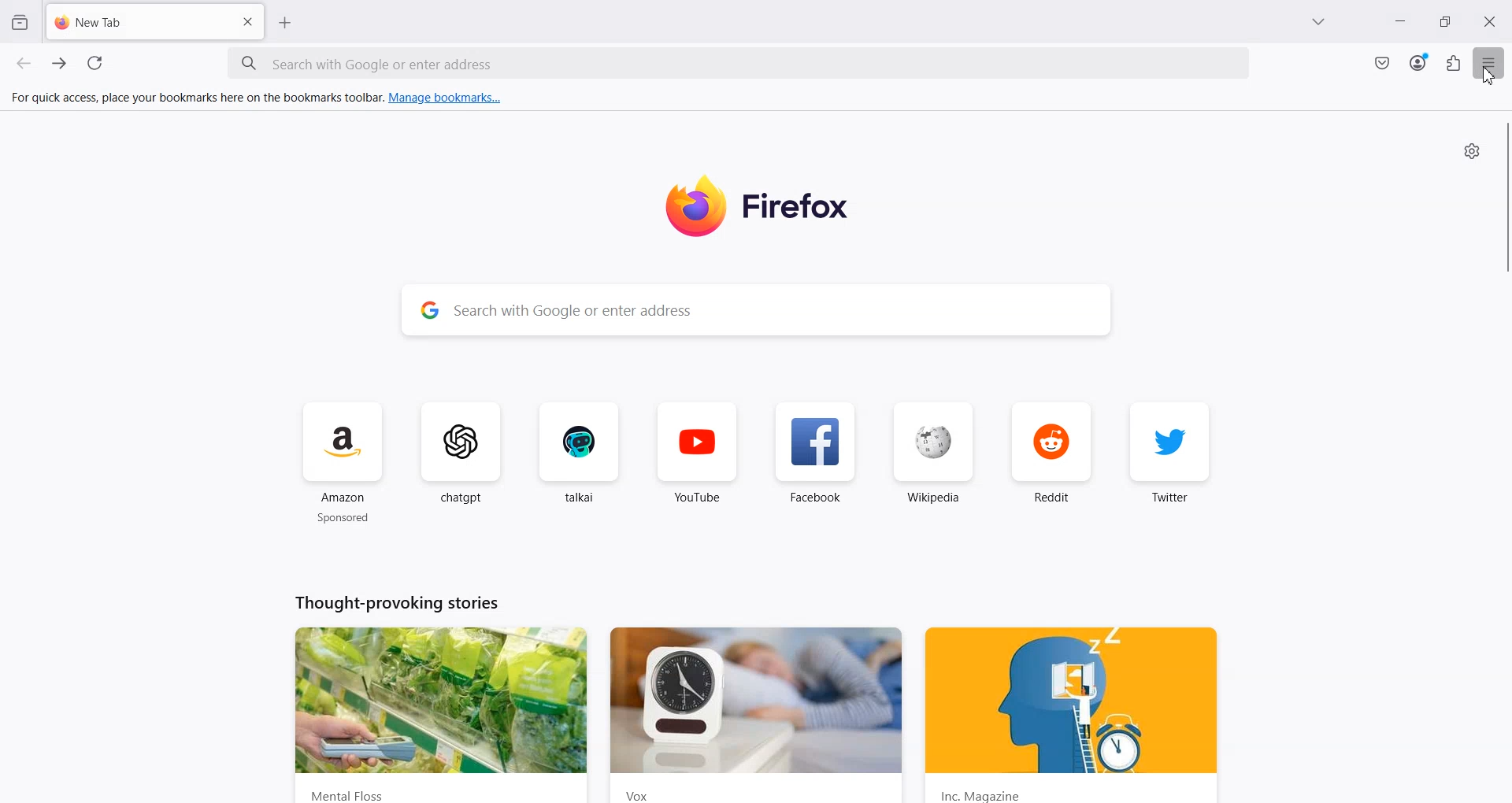 The height and width of the screenshot is (803, 1512). I want to click on Backward, so click(25, 64).